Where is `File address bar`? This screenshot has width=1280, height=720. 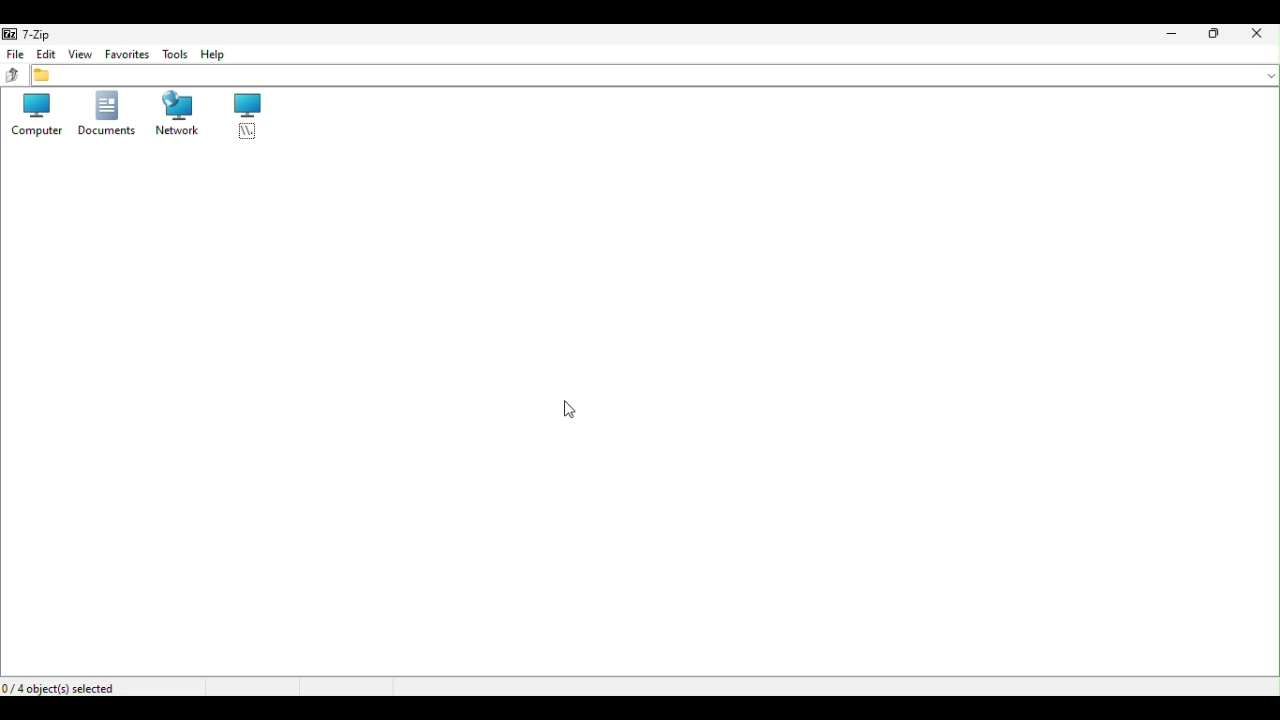 File address bar is located at coordinates (654, 75).